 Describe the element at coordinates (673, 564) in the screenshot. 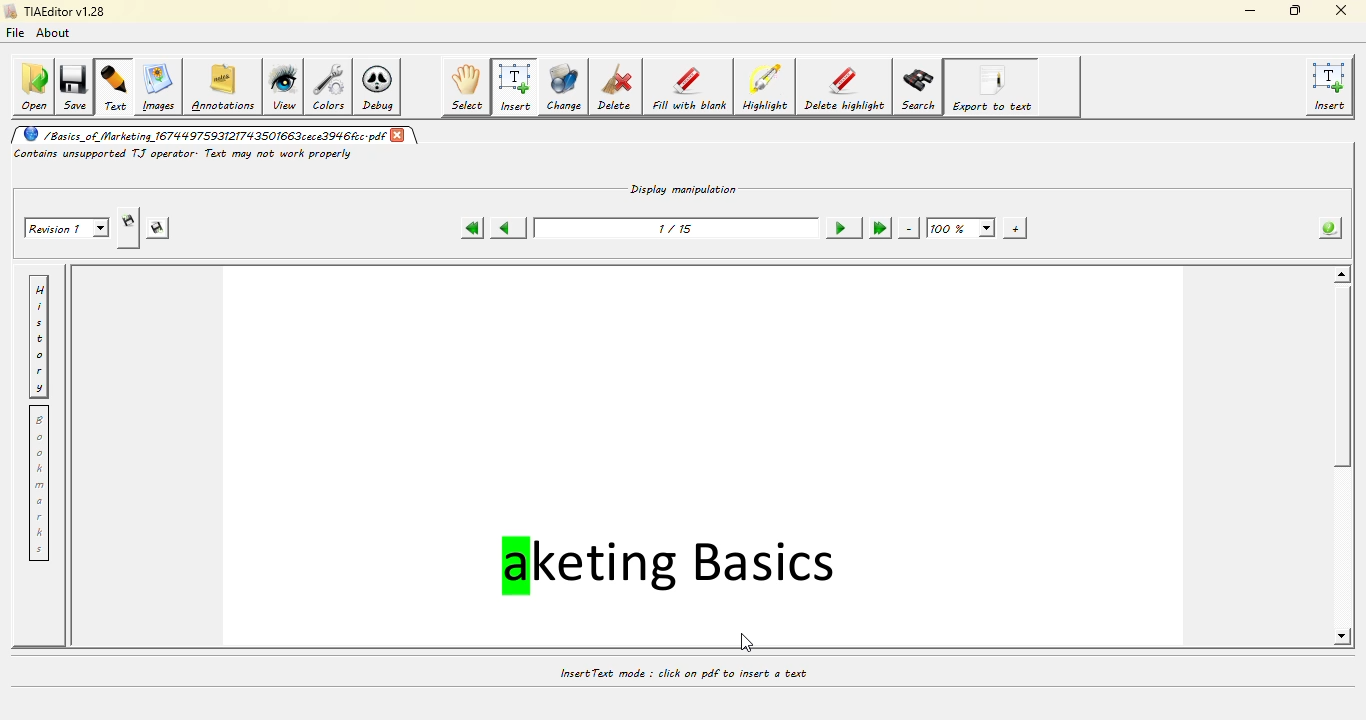

I see `aketing Basics` at that location.